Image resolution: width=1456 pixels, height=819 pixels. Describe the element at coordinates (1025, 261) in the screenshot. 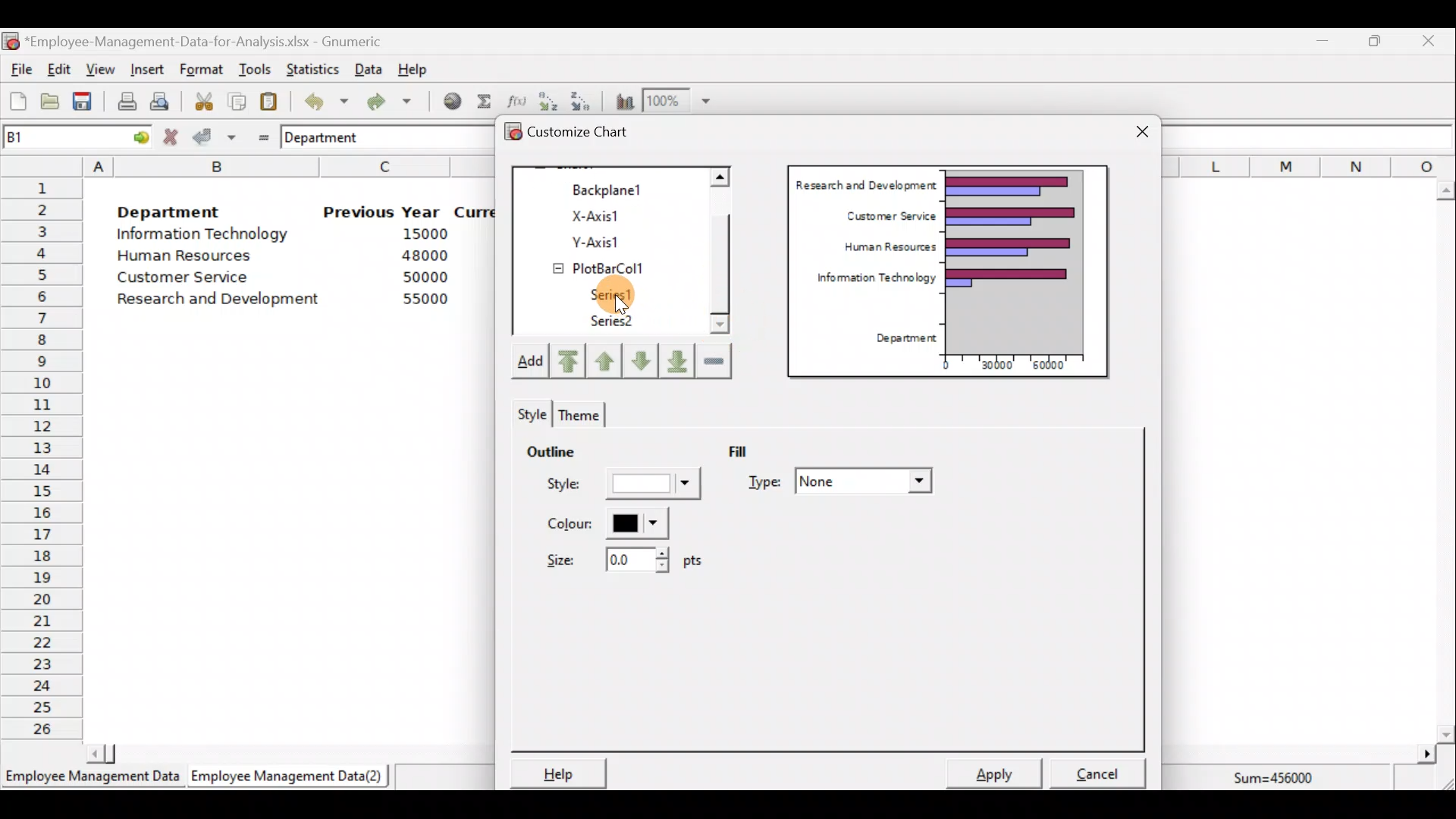

I see `Chart preview` at that location.